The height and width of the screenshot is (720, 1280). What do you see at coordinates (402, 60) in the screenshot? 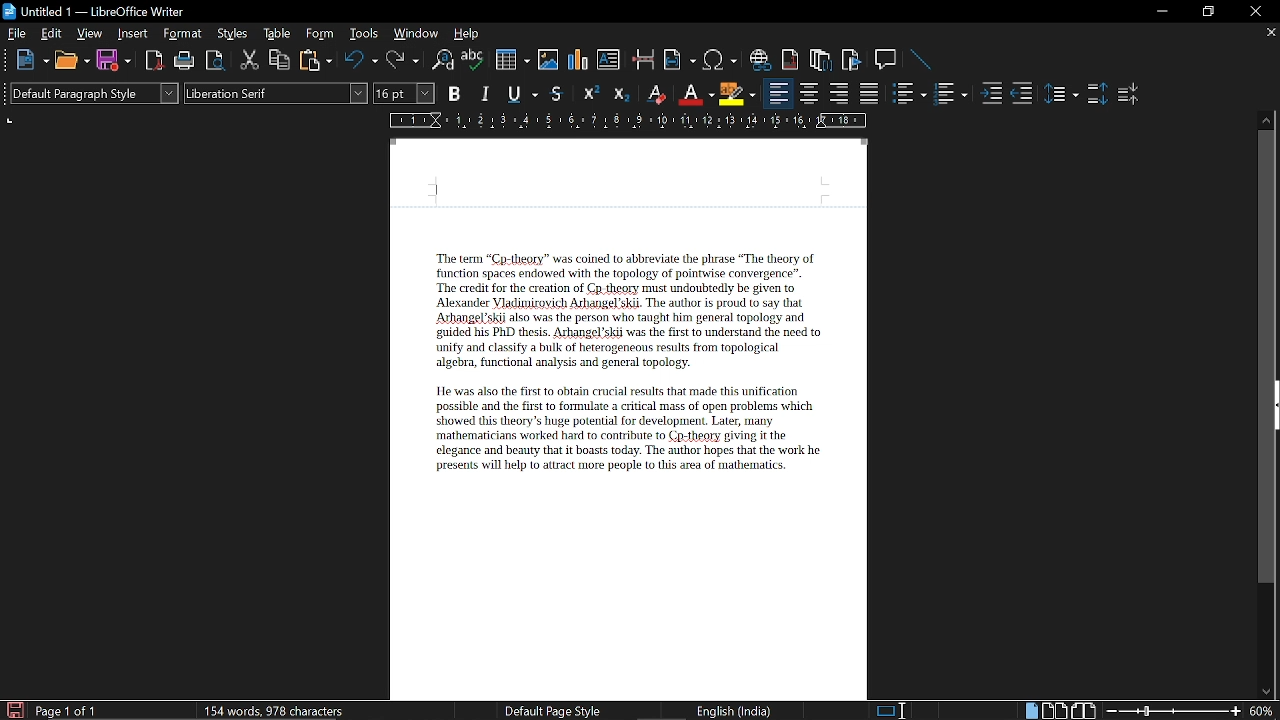
I see `Redo` at bounding box center [402, 60].